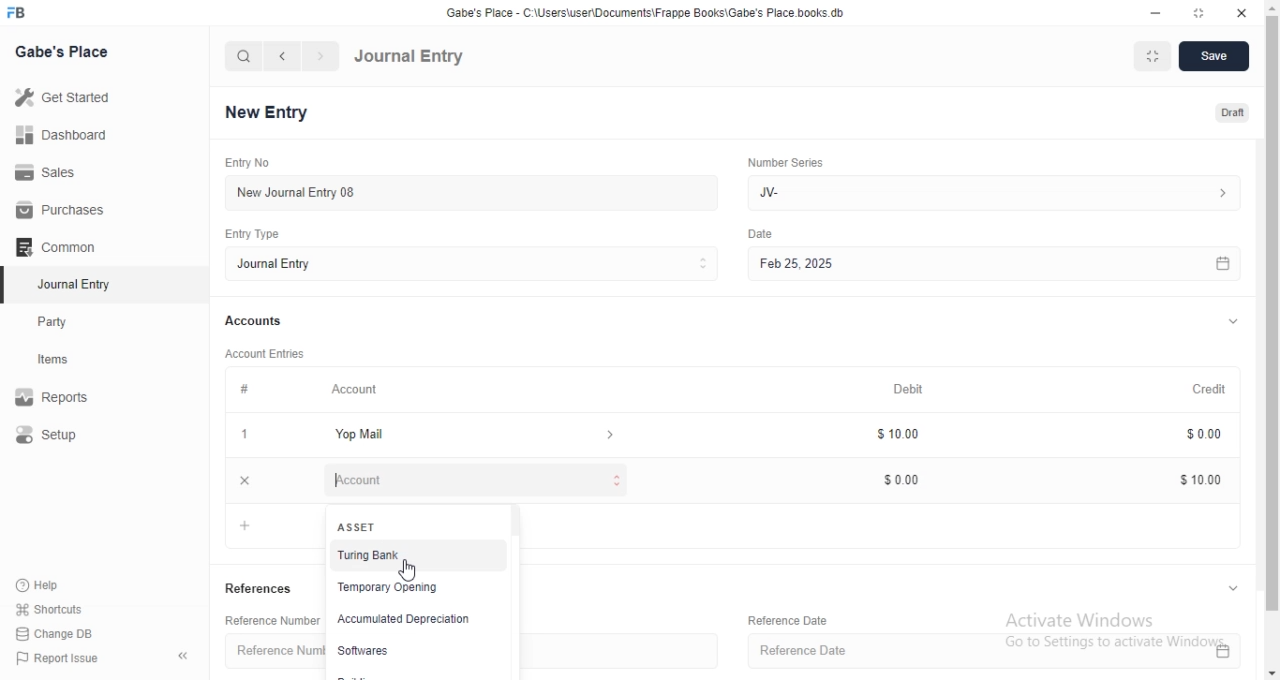  Describe the element at coordinates (246, 480) in the screenshot. I see `close` at that location.